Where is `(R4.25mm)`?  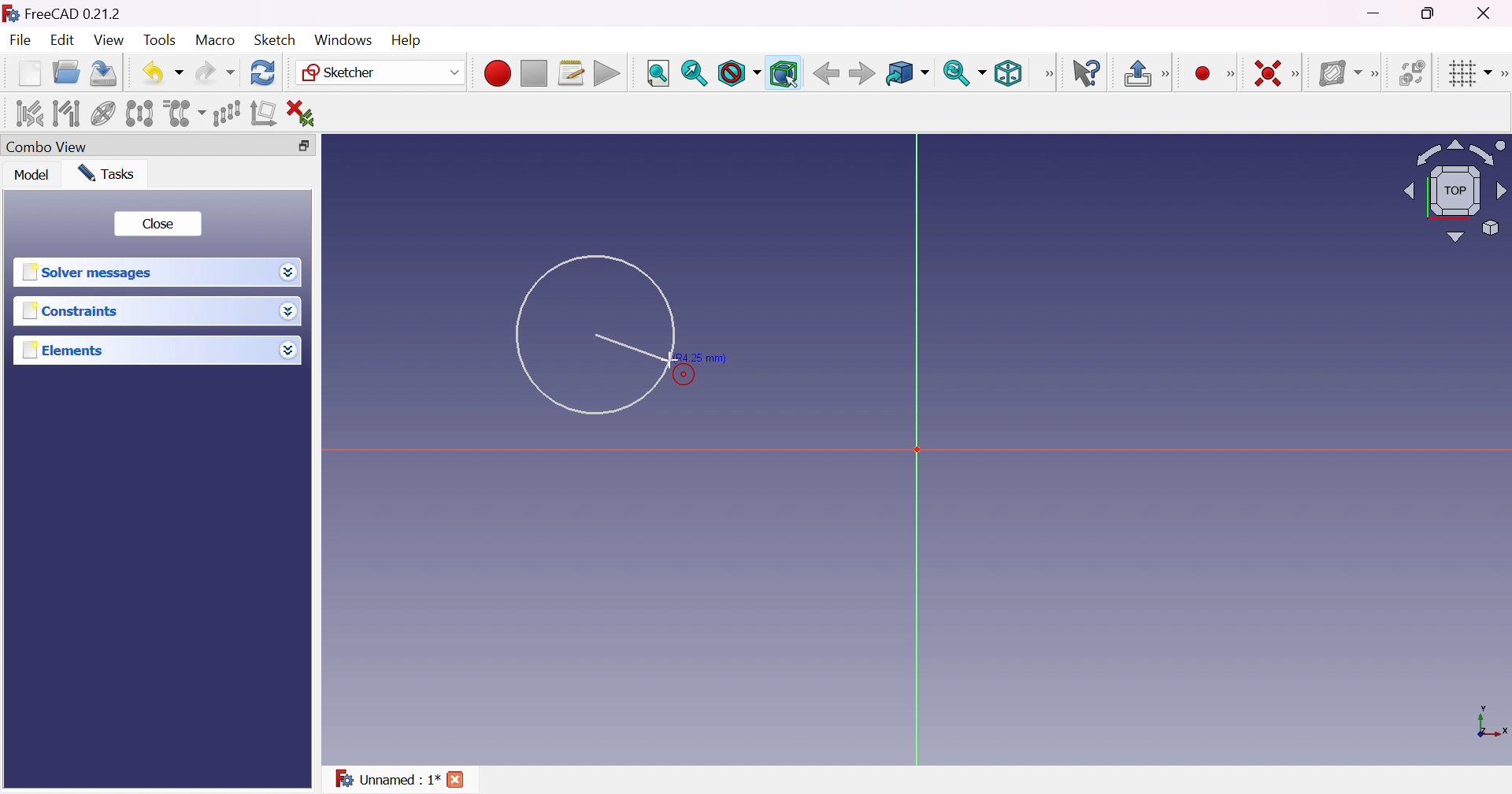 (R4.25mm) is located at coordinates (700, 358).